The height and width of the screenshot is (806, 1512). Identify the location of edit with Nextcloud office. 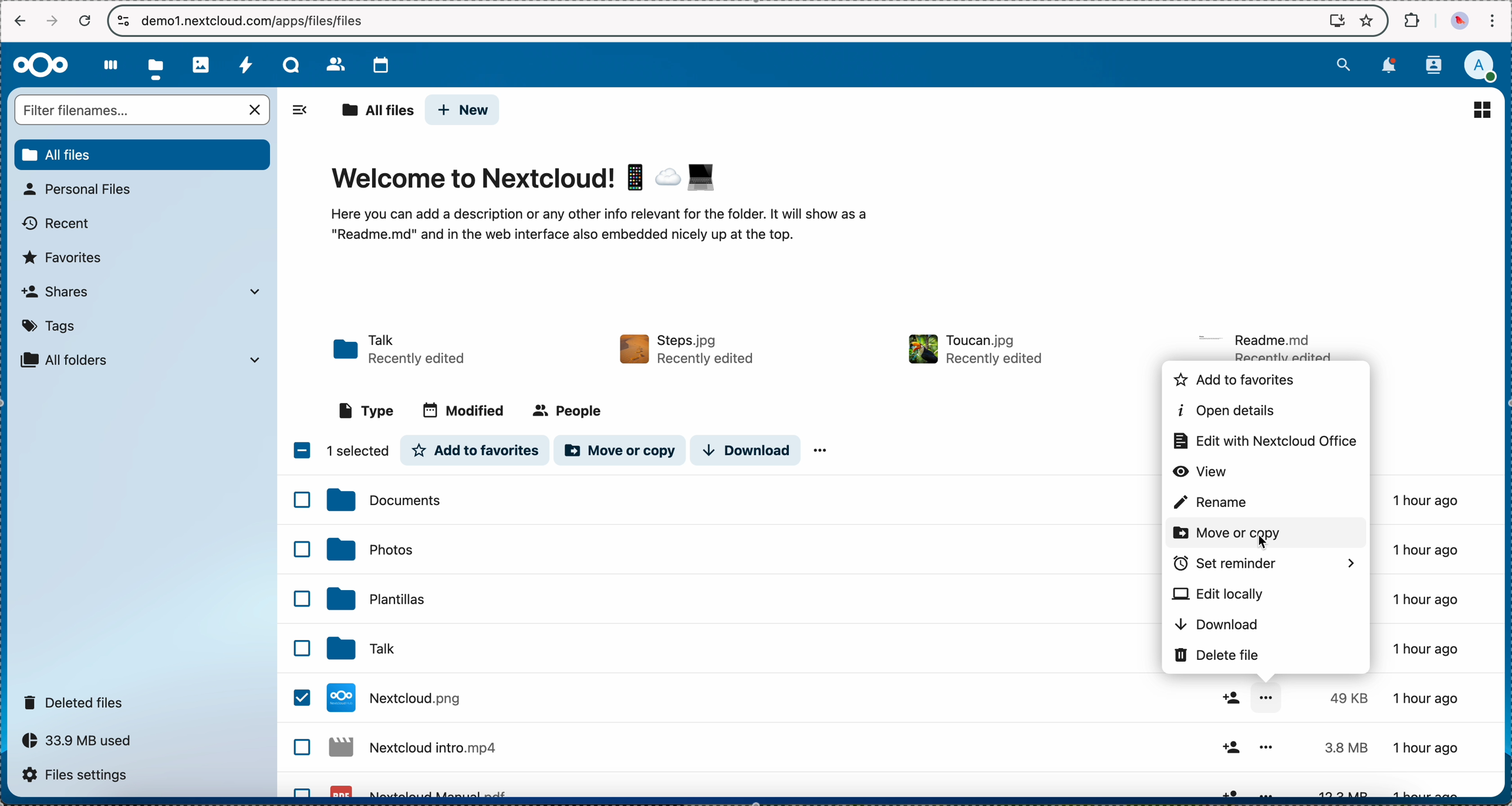
(1267, 441).